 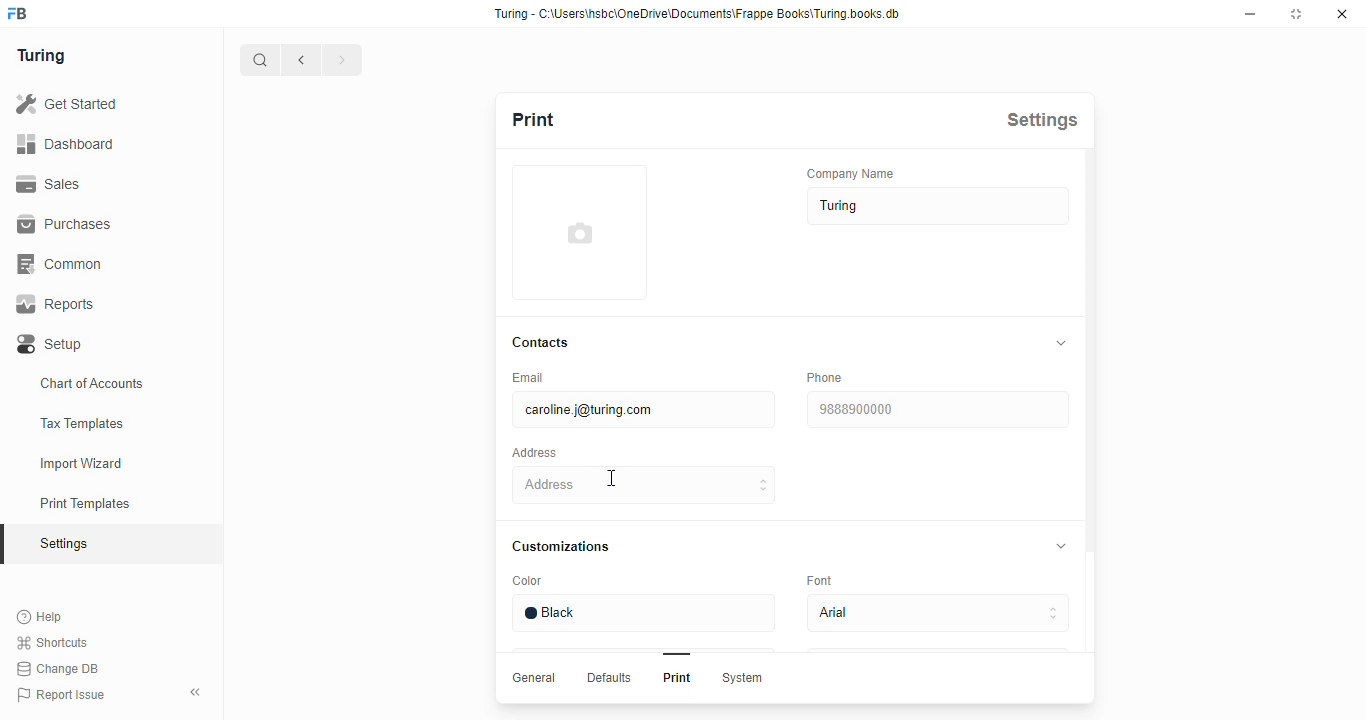 I want to click on next, so click(x=344, y=60).